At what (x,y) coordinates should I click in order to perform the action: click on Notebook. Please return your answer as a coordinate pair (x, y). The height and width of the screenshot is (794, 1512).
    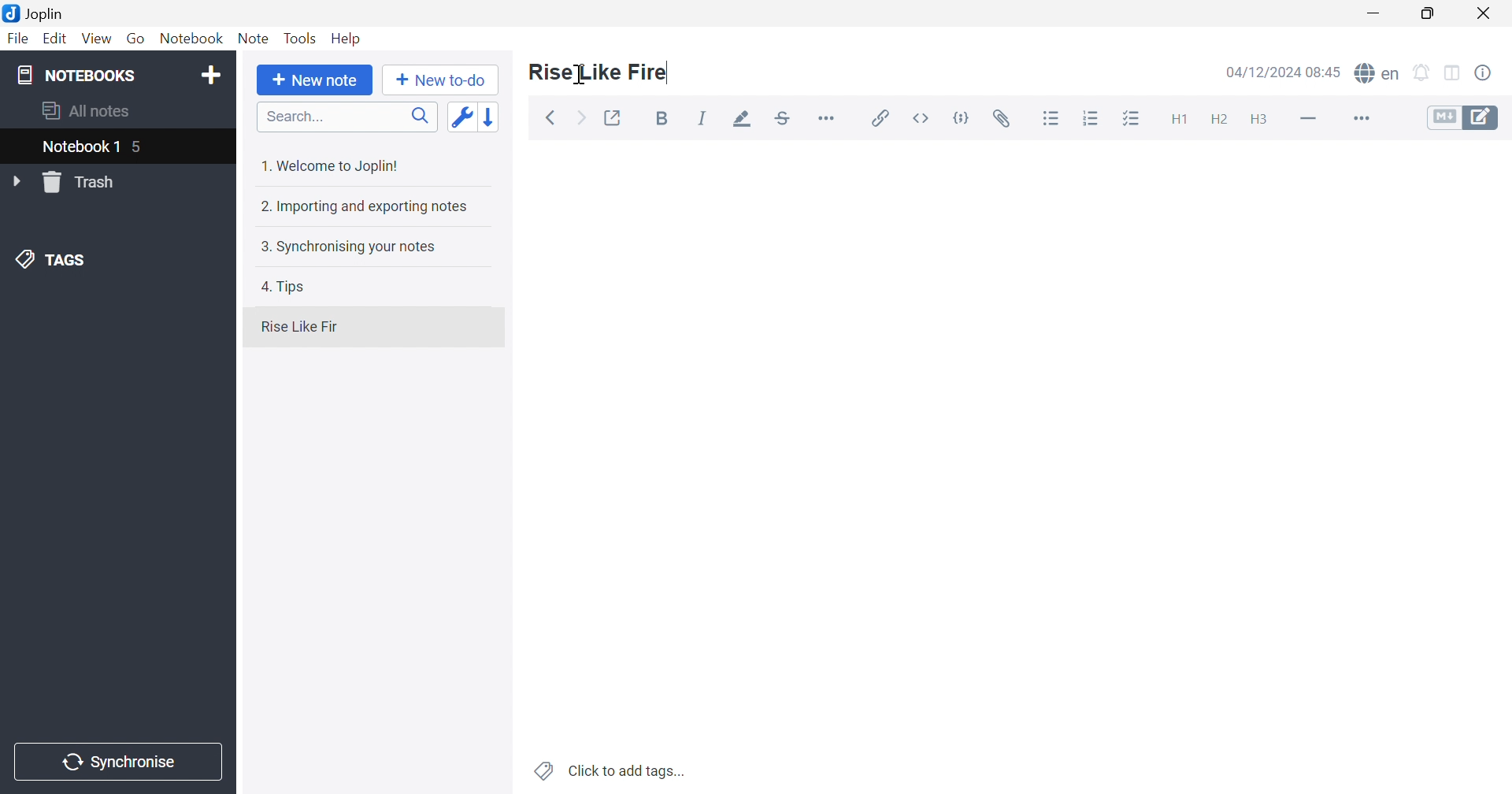
    Looking at the image, I should click on (195, 38).